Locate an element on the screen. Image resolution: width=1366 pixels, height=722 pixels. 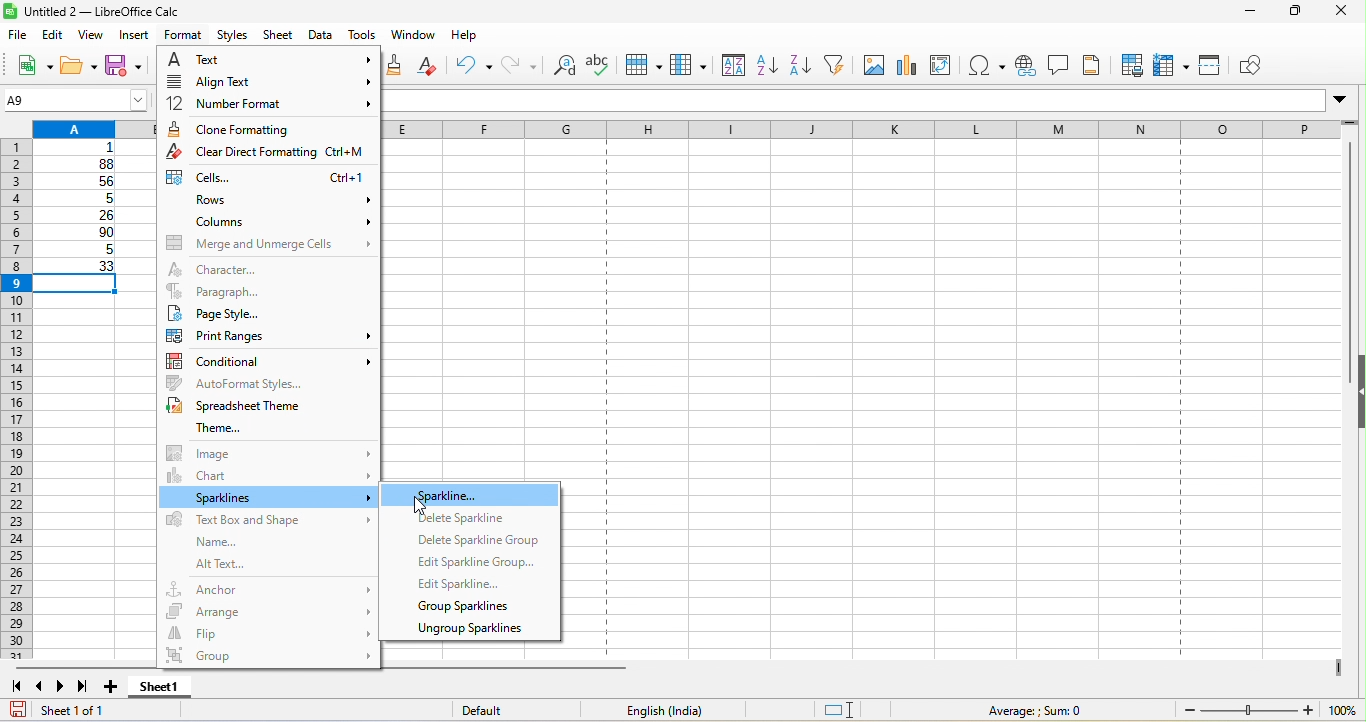
styles is located at coordinates (234, 36).